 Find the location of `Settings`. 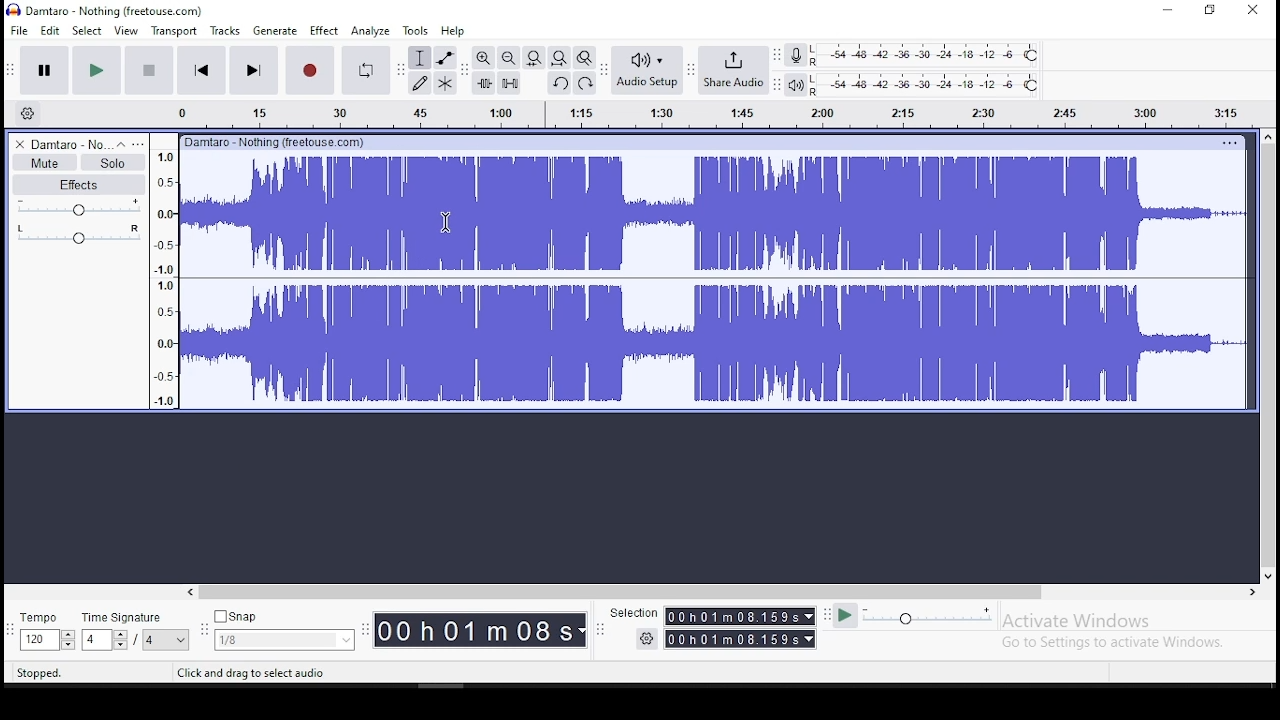

Settings is located at coordinates (646, 639).